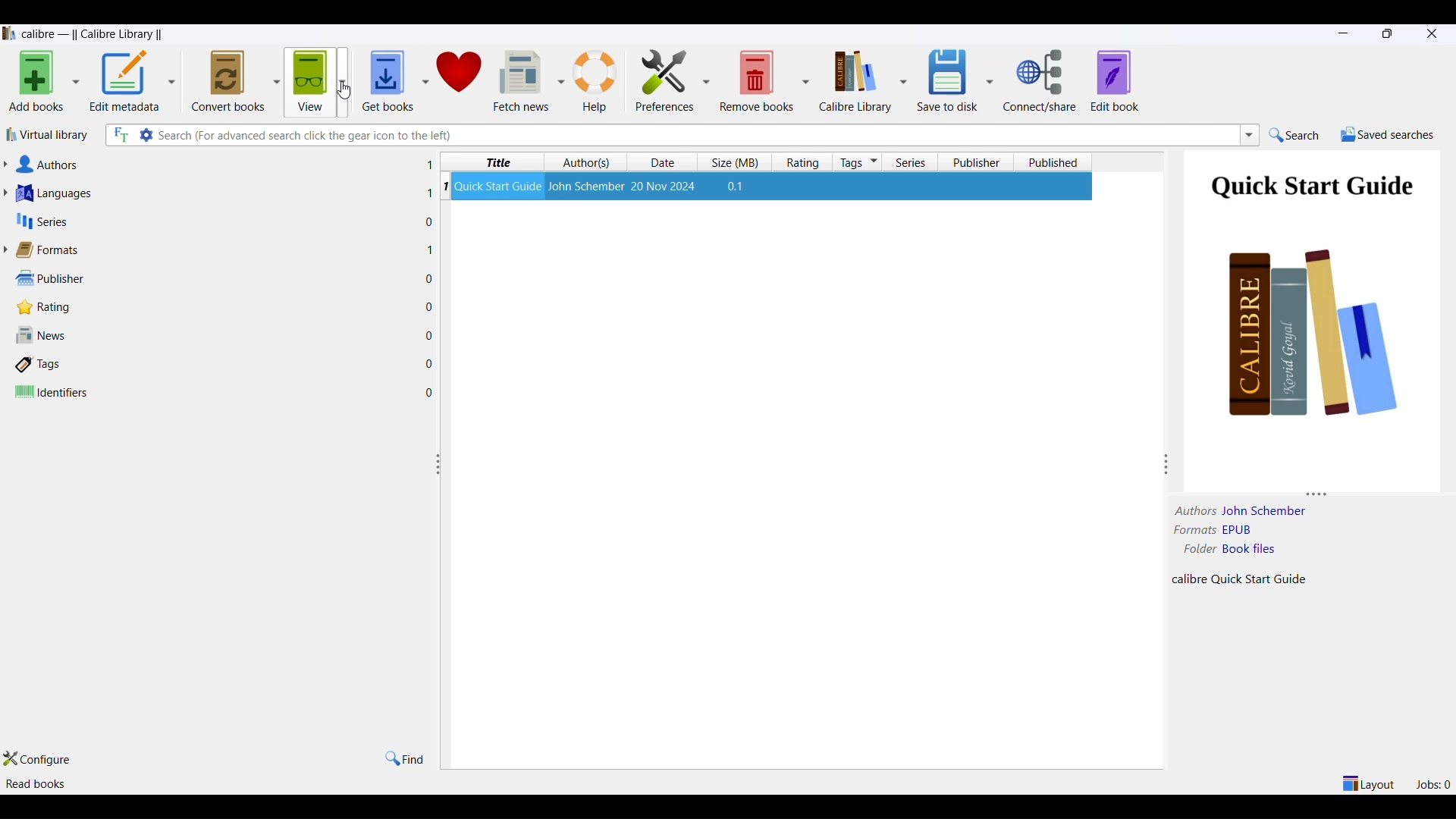  I want to click on preferences options dropdown button, so click(704, 81).